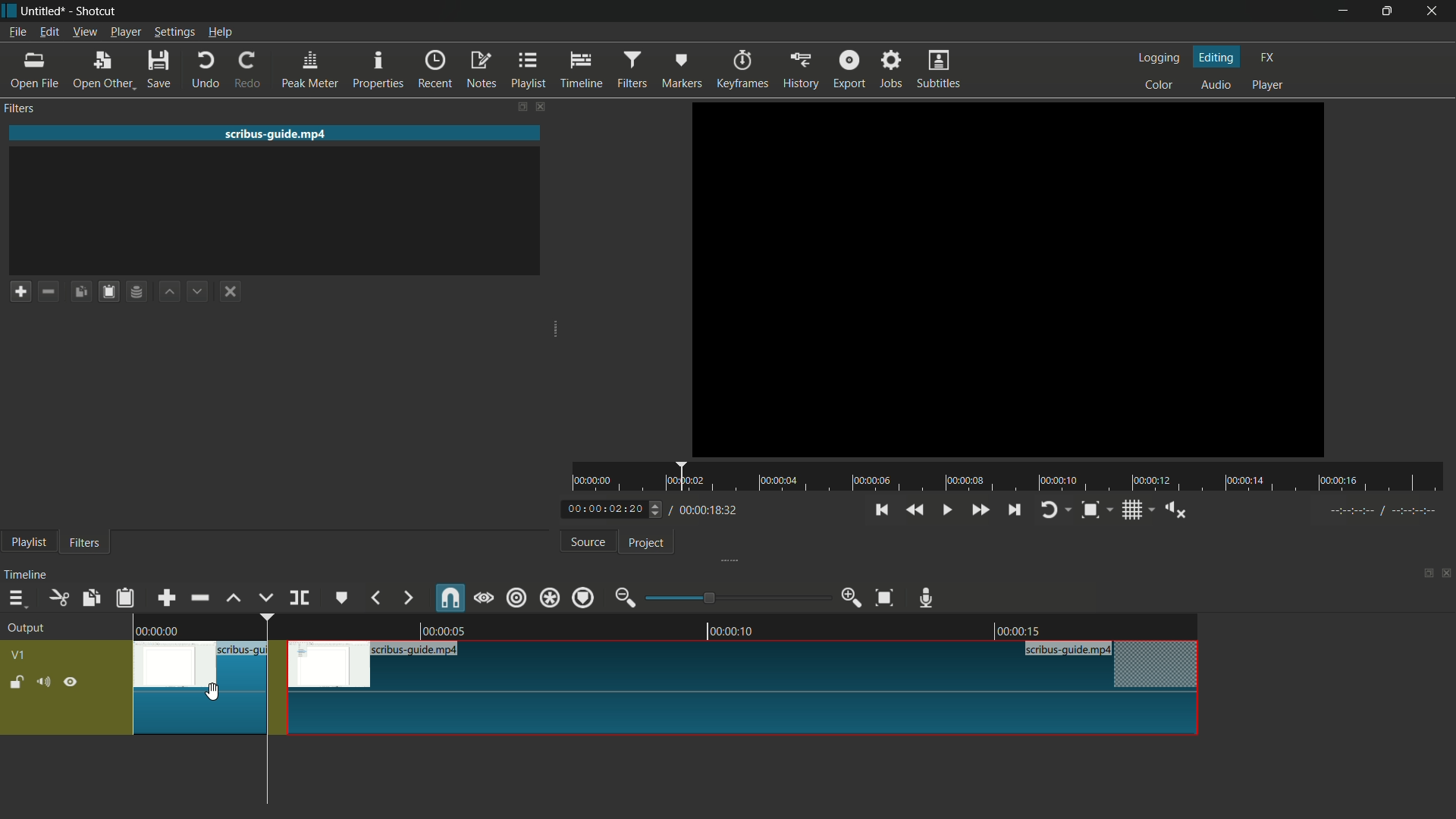 The width and height of the screenshot is (1456, 819). I want to click on skip to the previous point, so click(881, 510).